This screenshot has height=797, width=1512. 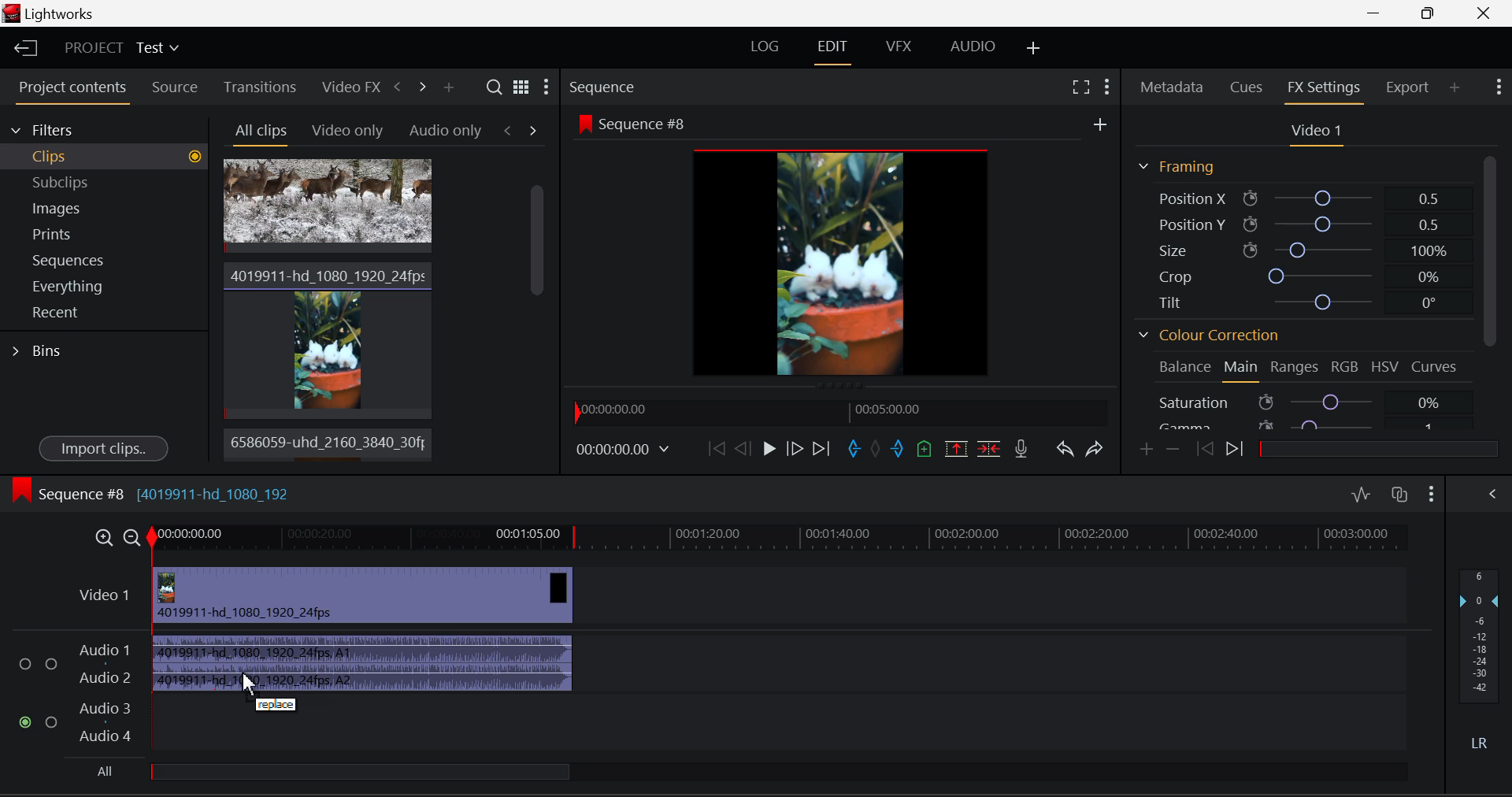 What do you see at coordinates (324, 443) in the screenshot?
I see `6586059-uhd_2160_3849_30fp` at bounding box center [324, 443].